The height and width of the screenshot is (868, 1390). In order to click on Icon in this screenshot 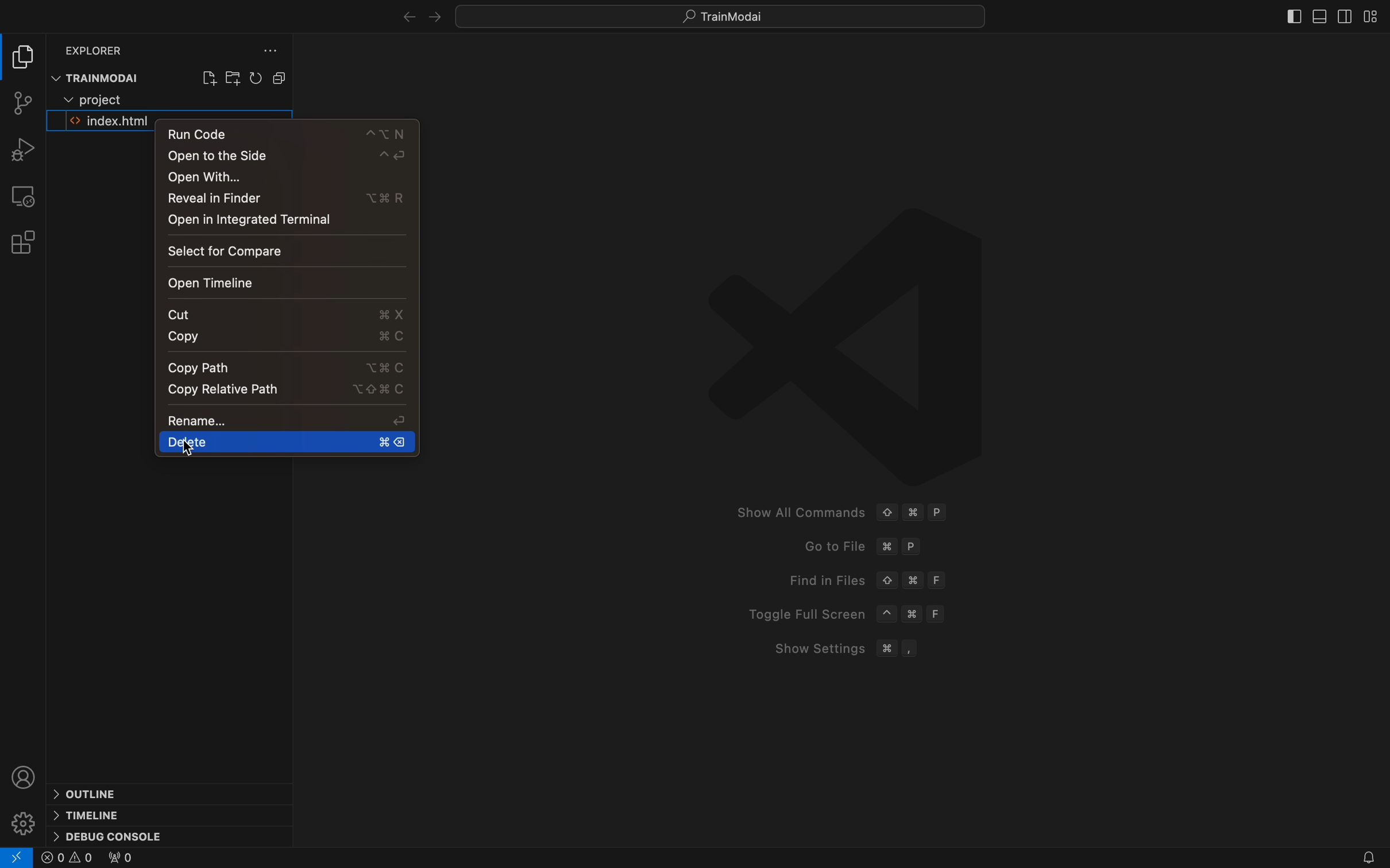, I will do `click(842, 325)`.